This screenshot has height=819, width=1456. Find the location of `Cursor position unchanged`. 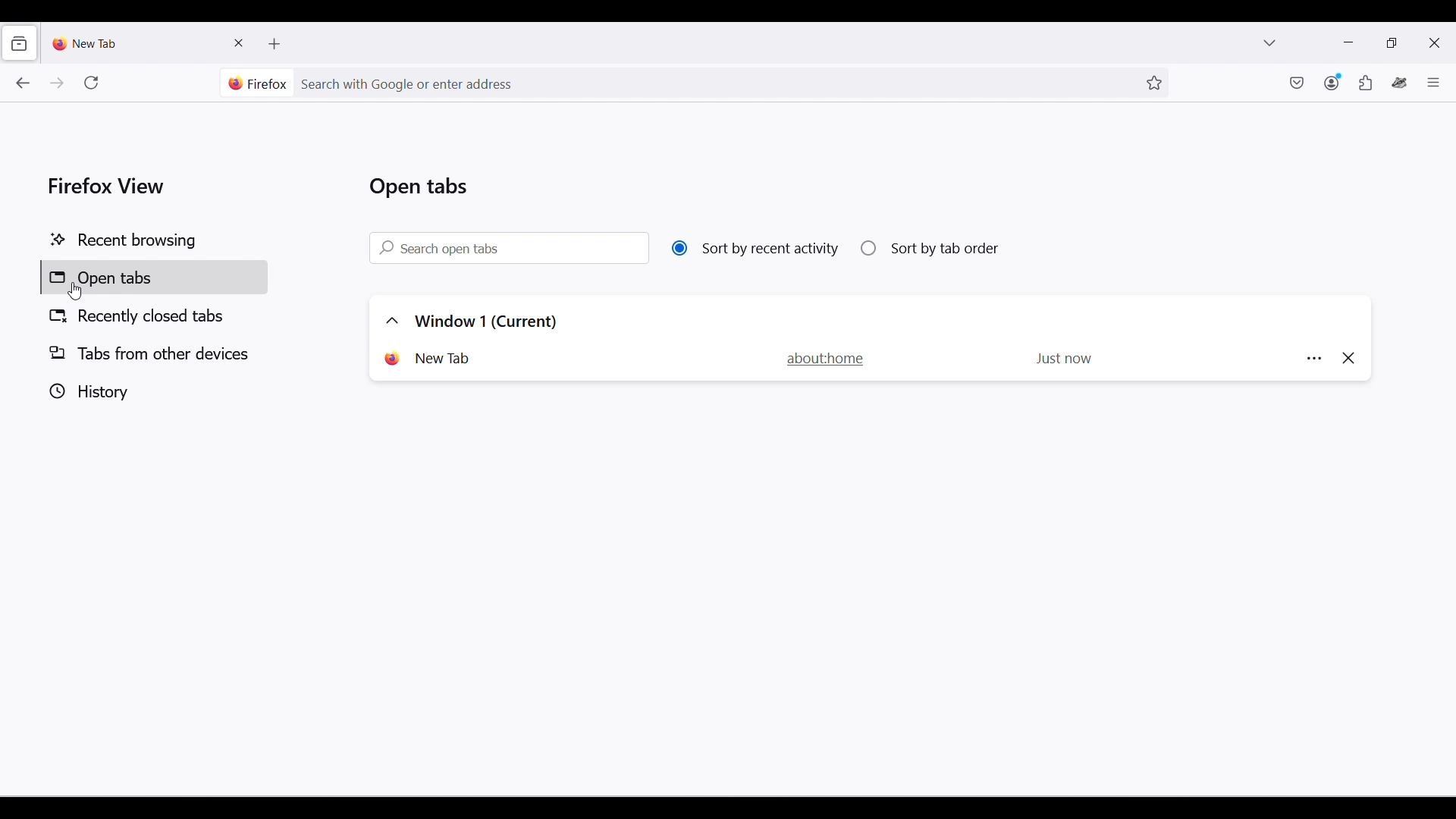

Cursor position unchanged is located at coordinates (74, 292).